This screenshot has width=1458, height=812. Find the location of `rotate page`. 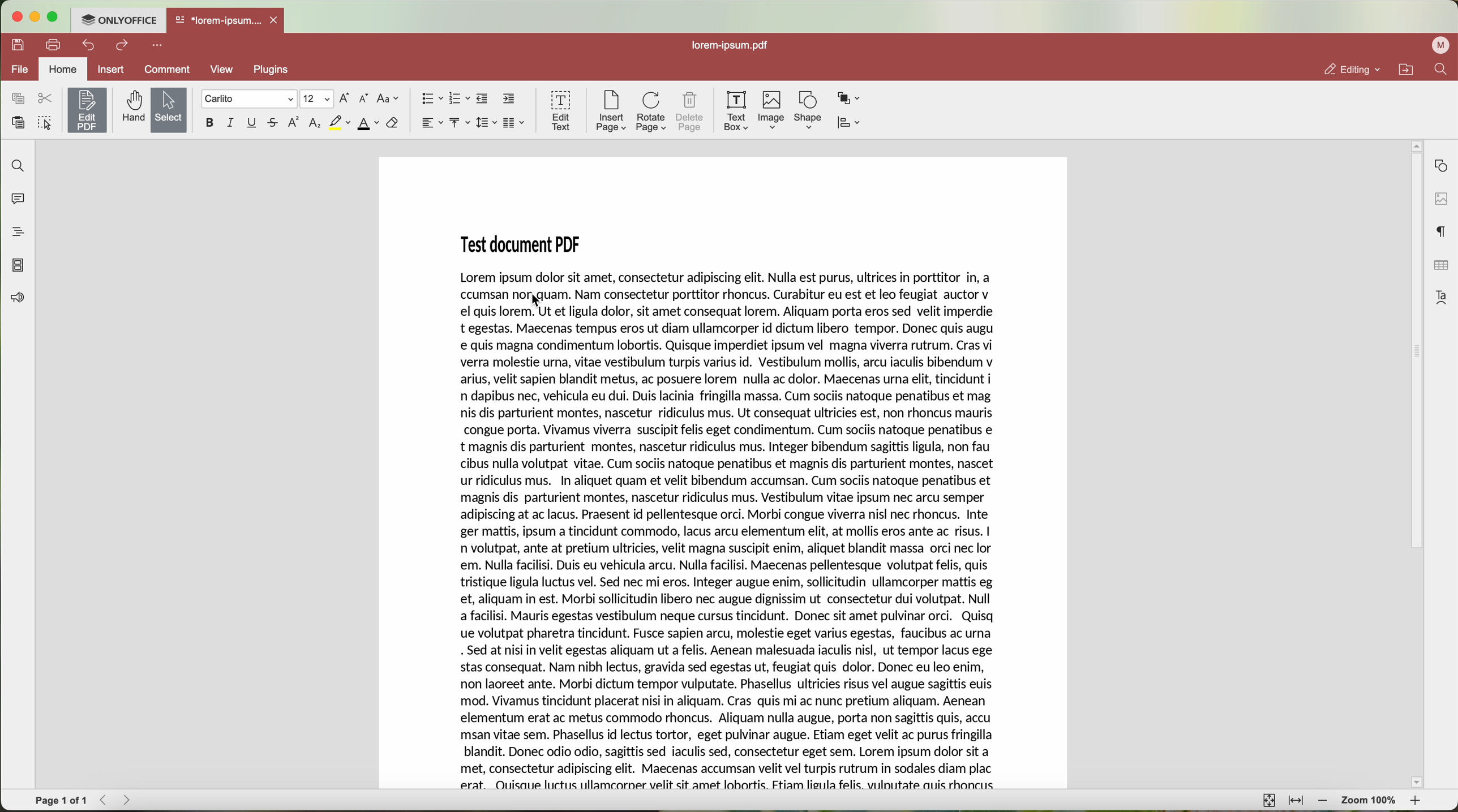

rotate page is located at coordinates (652, 113).